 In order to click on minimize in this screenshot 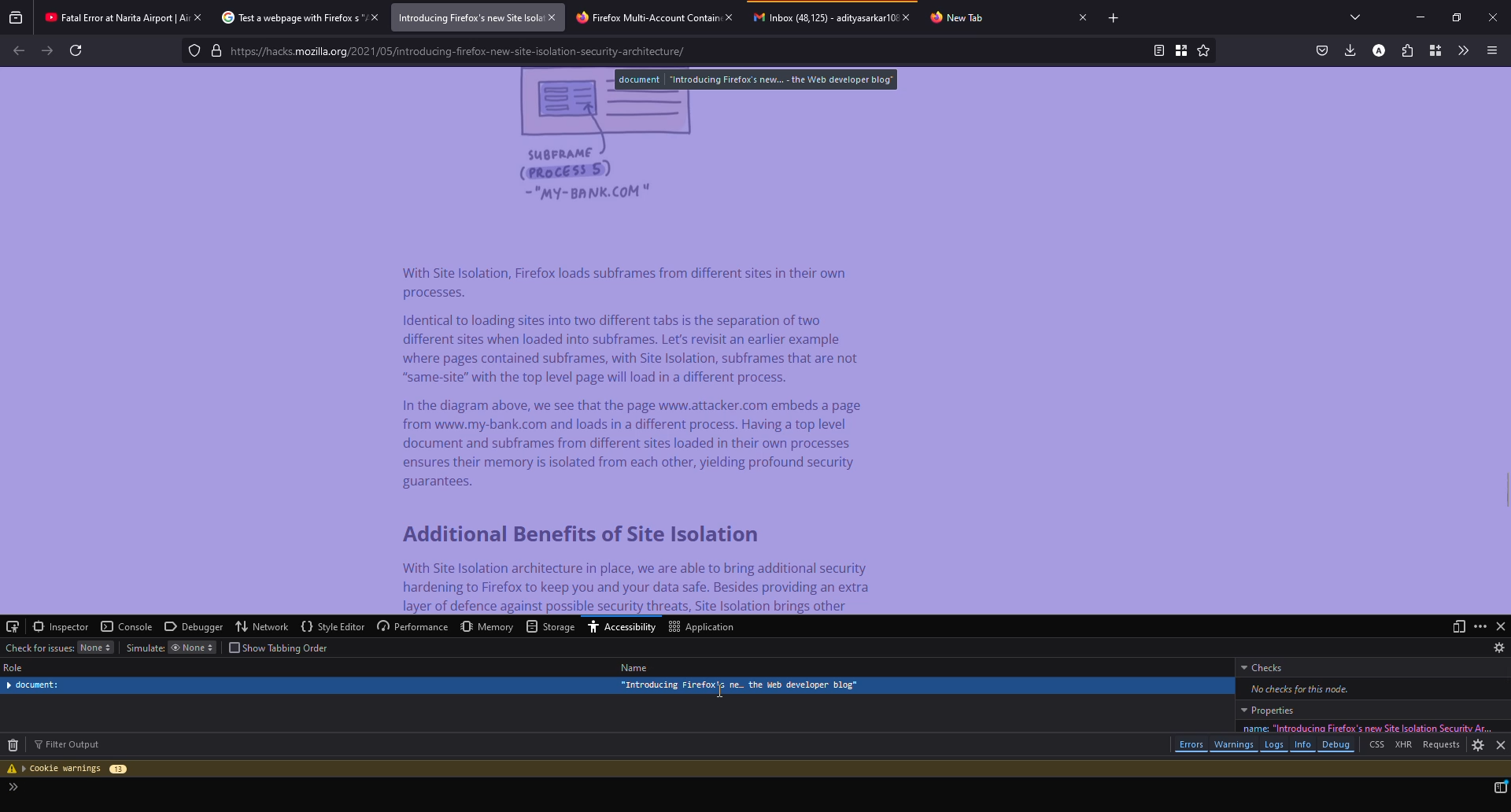, I will do `click(1420, 18)`.